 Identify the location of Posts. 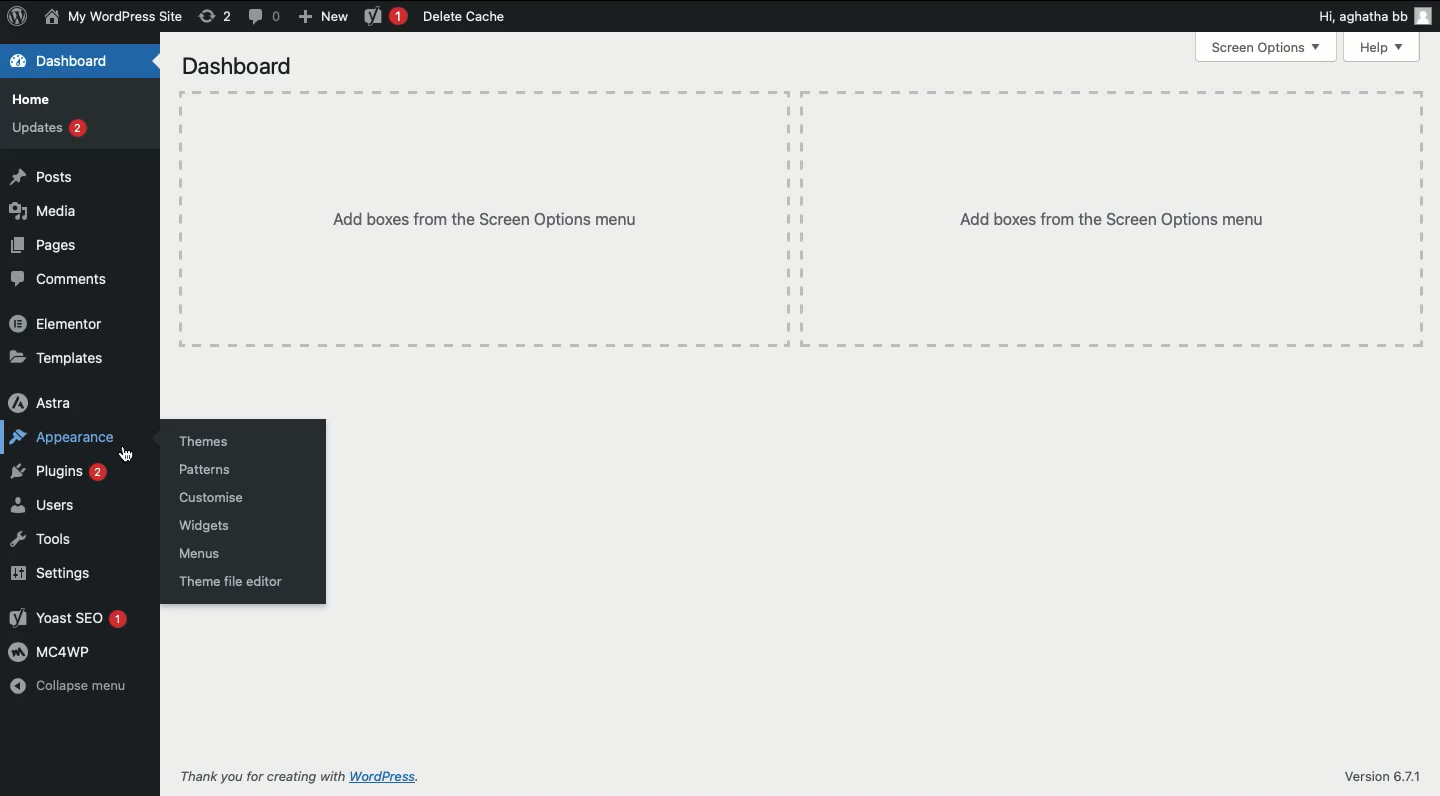
(54, 175).